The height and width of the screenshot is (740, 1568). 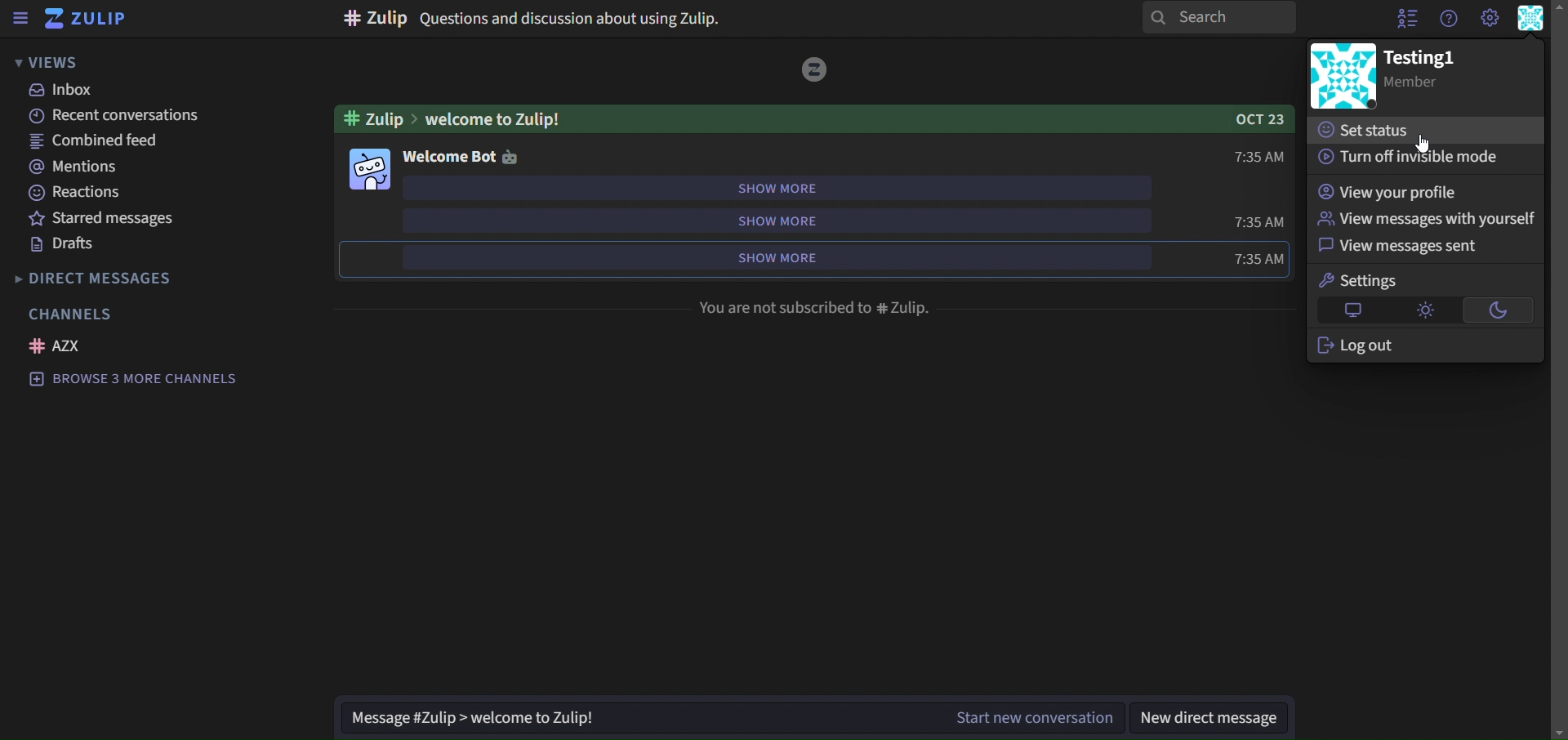 I want to click on welcome to Zulip, so click(x=467, y=116).